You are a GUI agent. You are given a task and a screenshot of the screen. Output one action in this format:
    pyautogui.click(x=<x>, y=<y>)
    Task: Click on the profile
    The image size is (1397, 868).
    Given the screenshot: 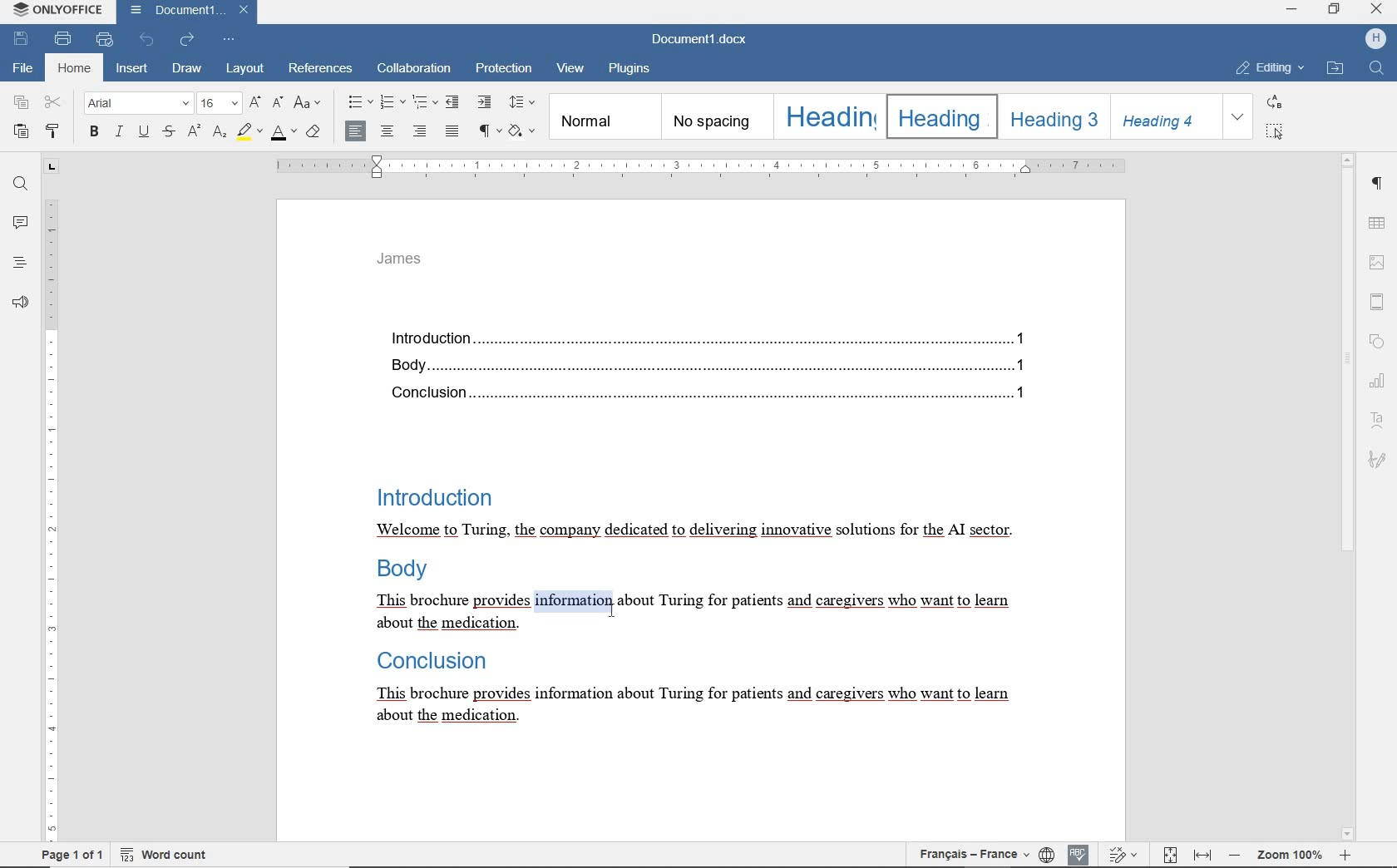 What is the action you would take?
    pyautogui.click(x=1376, y=39)
    